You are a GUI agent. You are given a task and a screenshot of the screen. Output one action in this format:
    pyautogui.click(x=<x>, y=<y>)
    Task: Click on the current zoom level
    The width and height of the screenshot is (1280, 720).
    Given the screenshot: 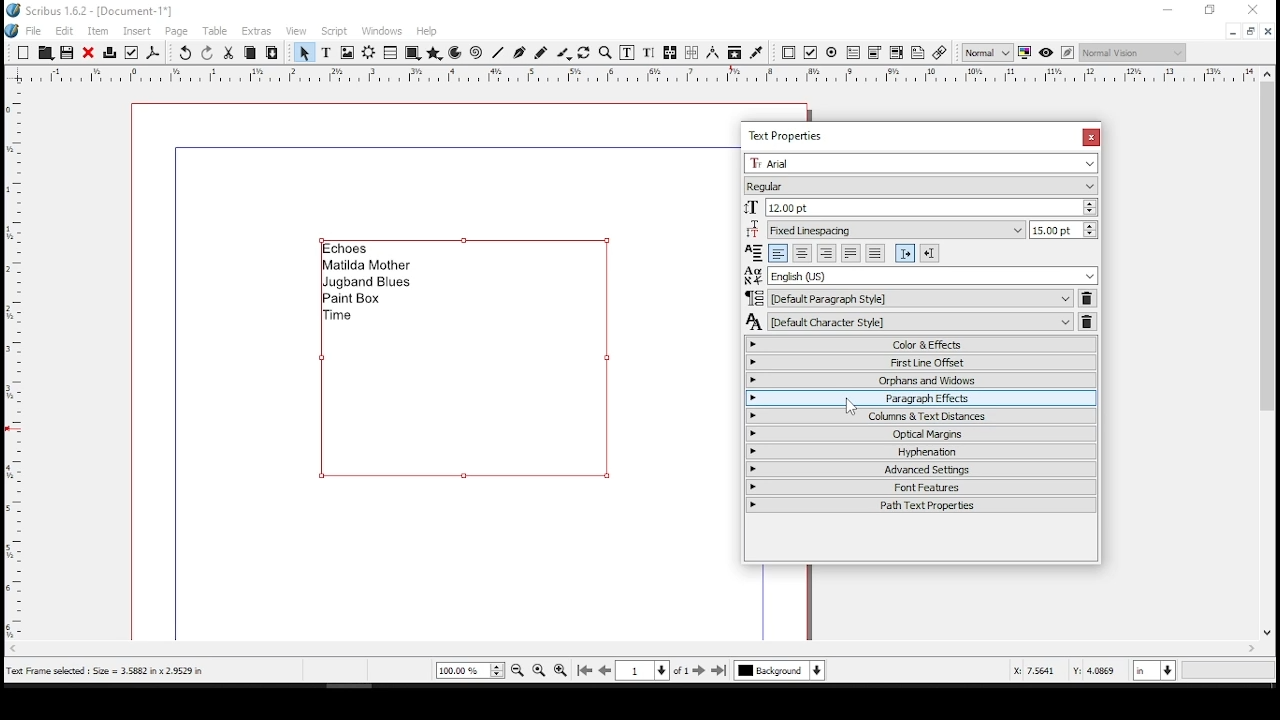 What is the action you would take?
    pyautogui.click(x=470, y=670)
    